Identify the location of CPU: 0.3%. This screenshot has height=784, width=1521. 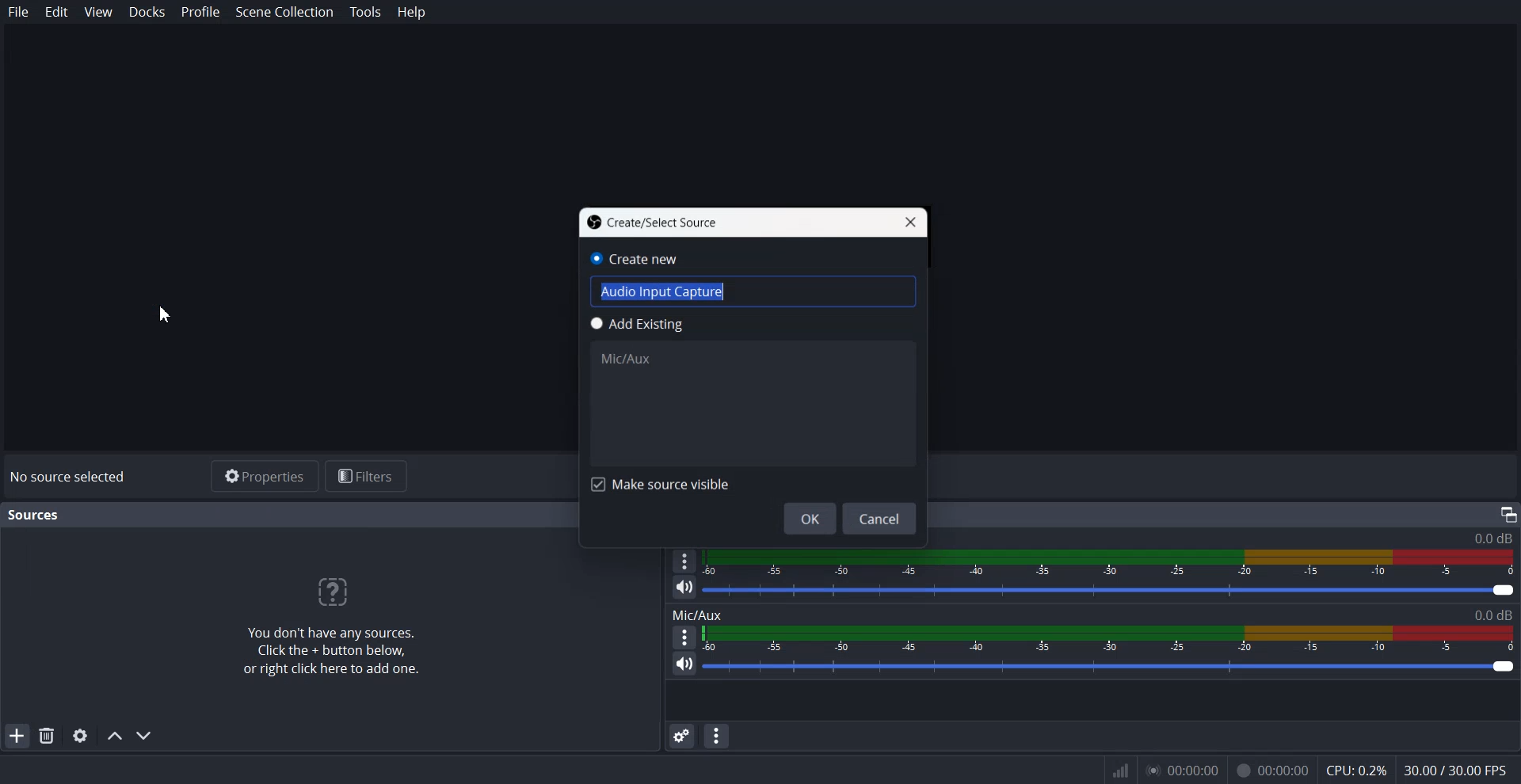
(1355, 772).